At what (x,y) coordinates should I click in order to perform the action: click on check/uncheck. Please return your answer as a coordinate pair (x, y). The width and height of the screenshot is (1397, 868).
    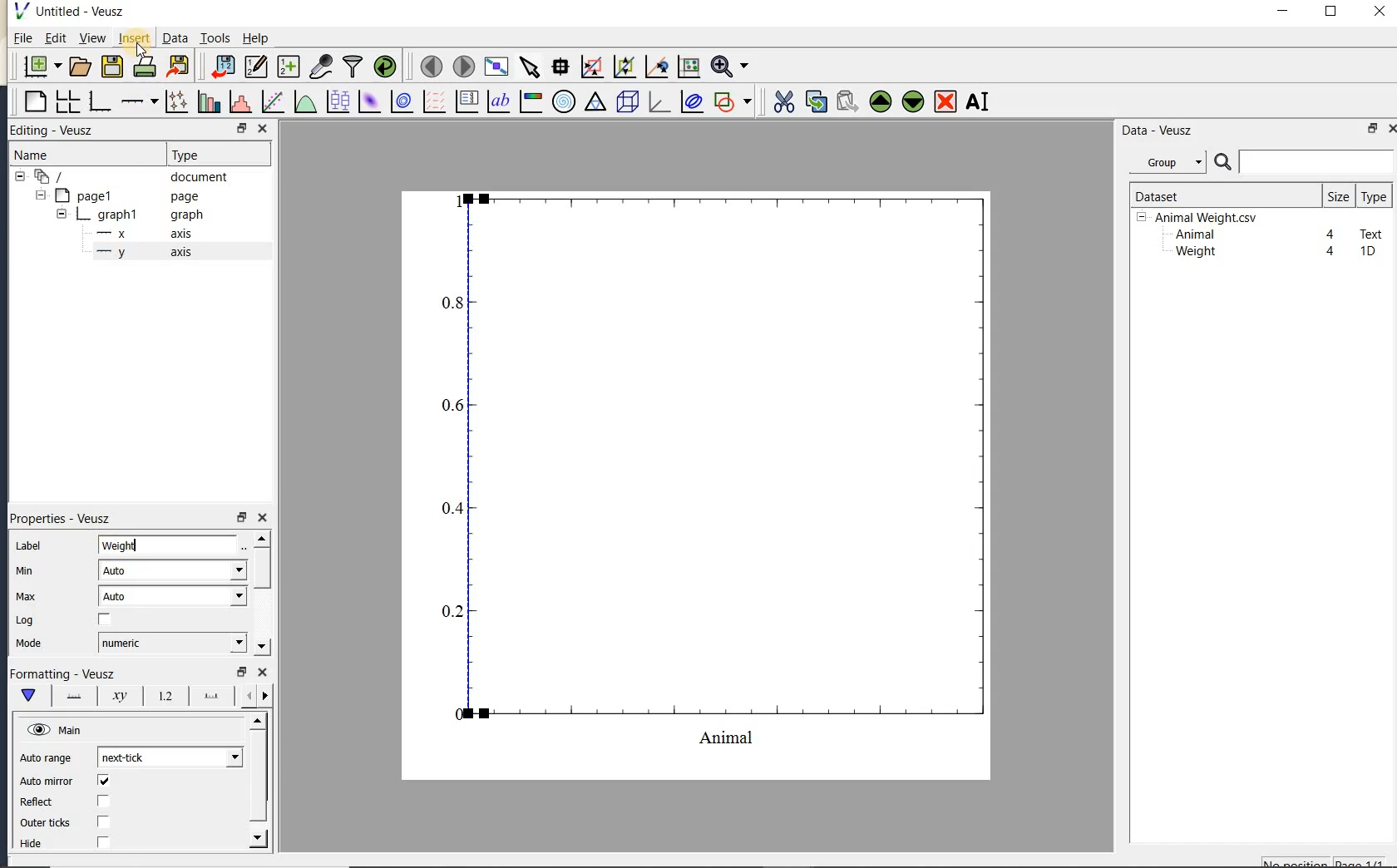
    Looking at the image, I should click on (105, 620).